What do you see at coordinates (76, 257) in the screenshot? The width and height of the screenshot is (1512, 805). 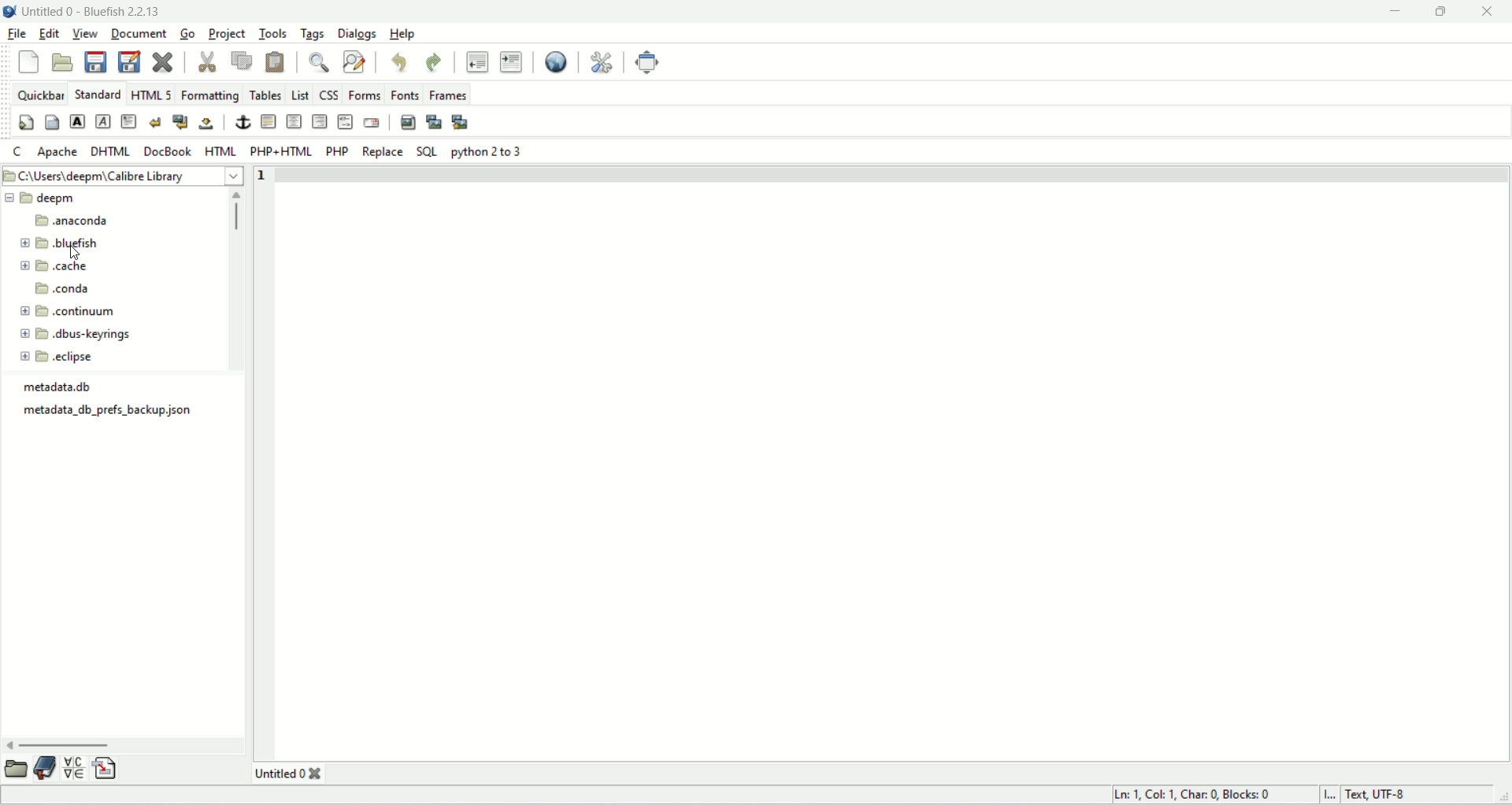 I see `cursor` at bounding box center [76, 257].